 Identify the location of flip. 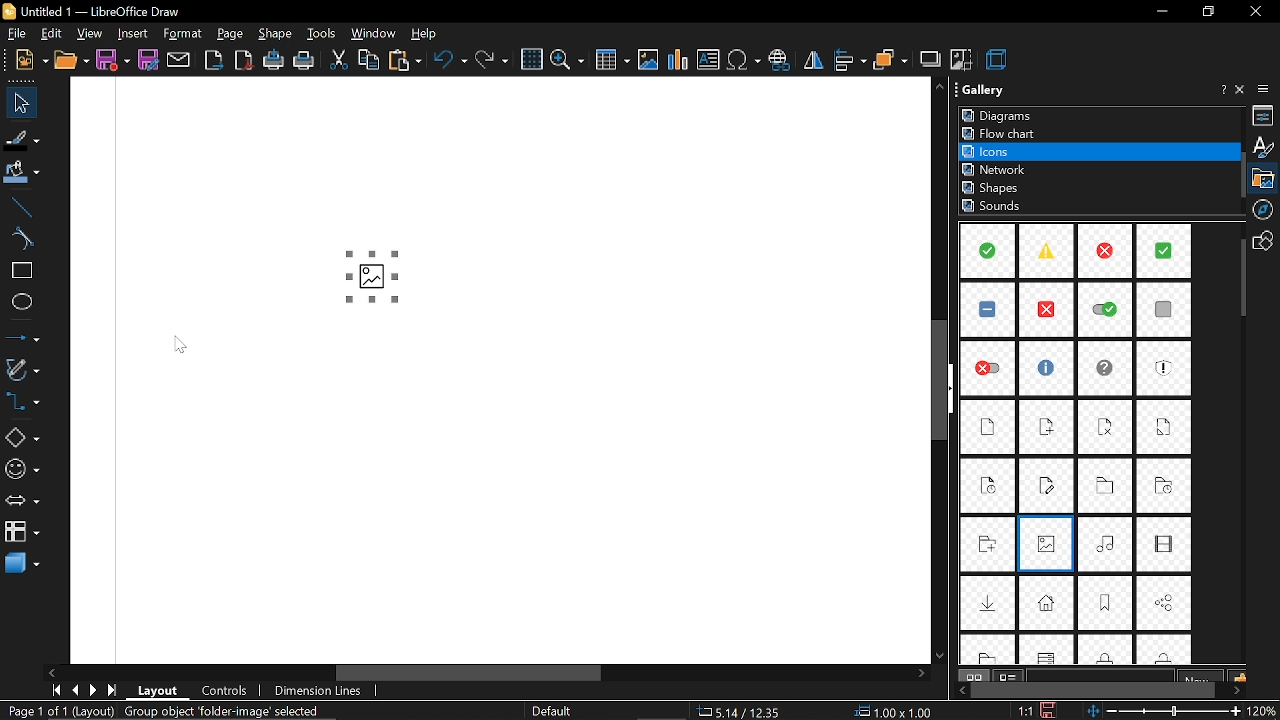
(812, 63).